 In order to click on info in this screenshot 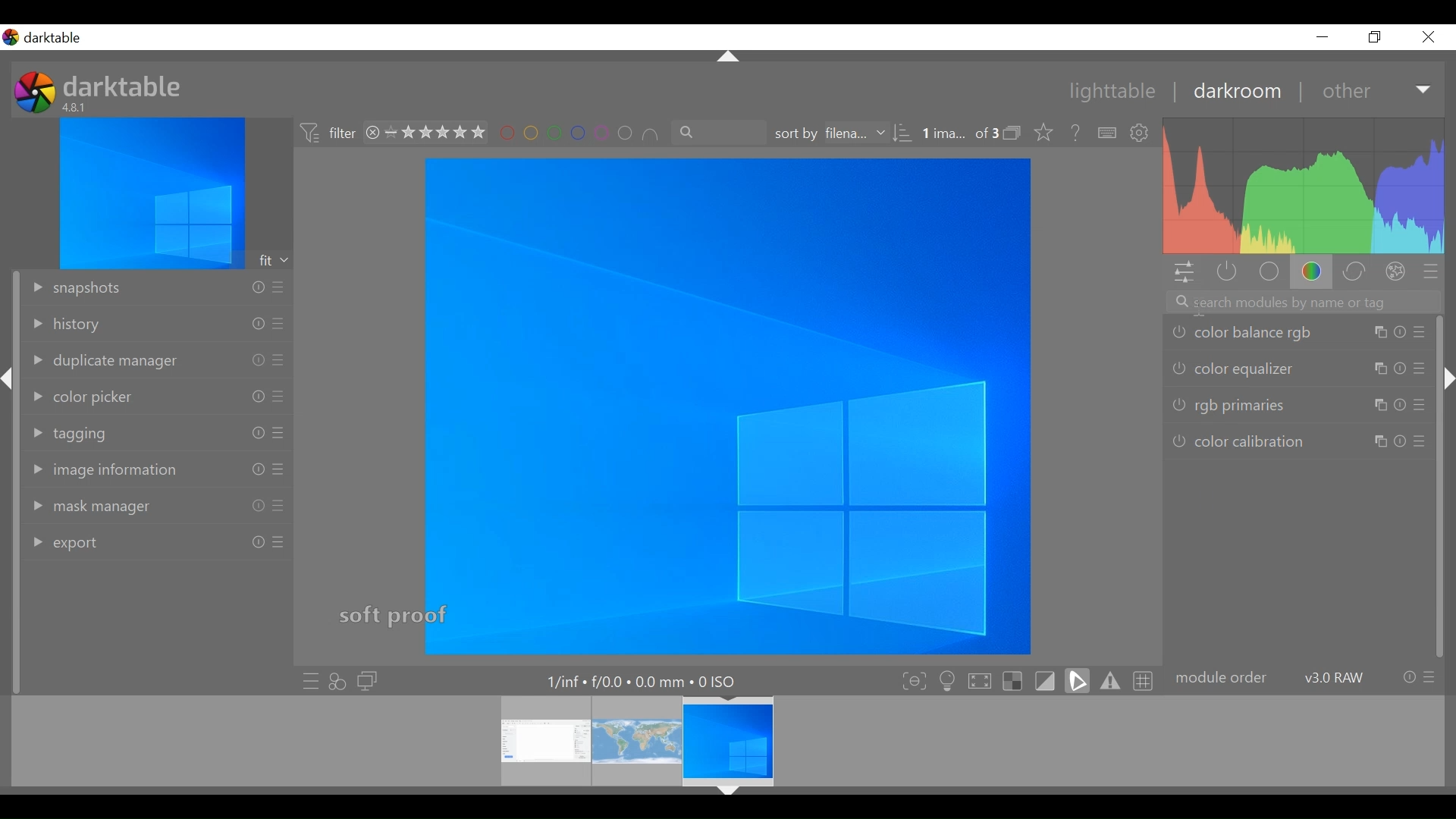, I will do `click(258, 506)`.